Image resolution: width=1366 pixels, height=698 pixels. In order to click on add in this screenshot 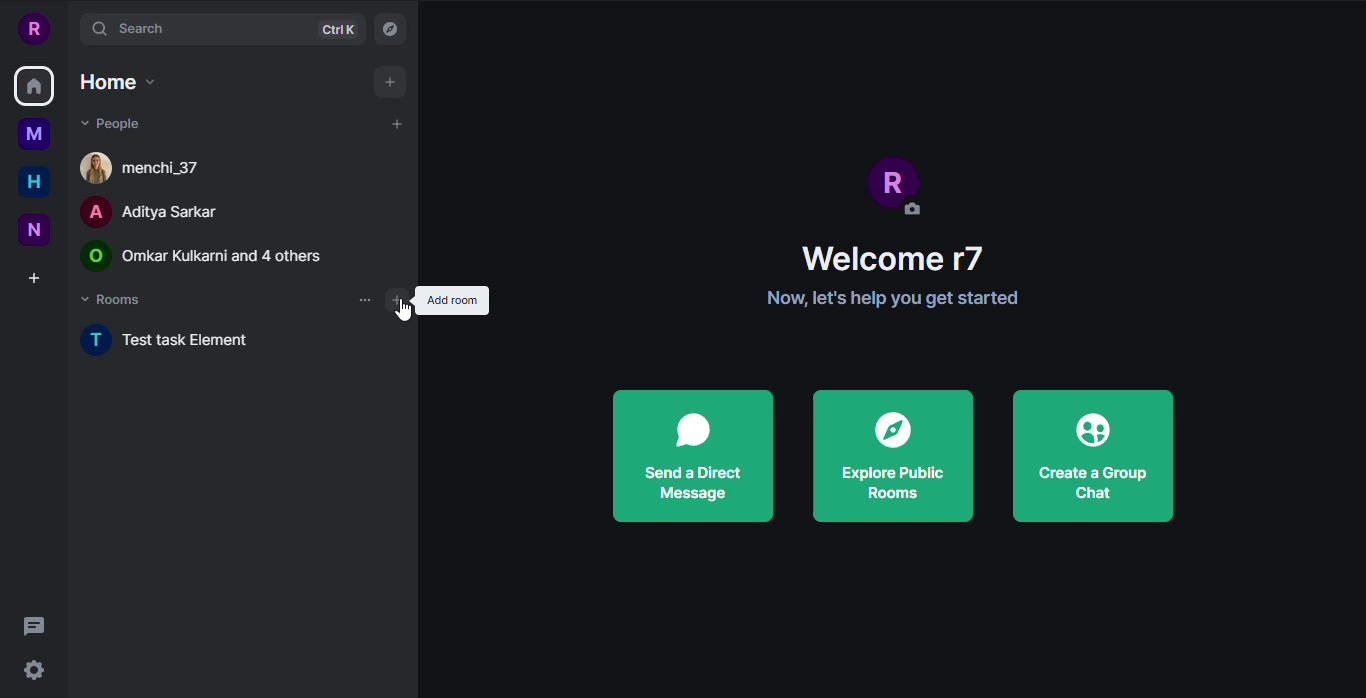, I will do `click(386, 82)`.